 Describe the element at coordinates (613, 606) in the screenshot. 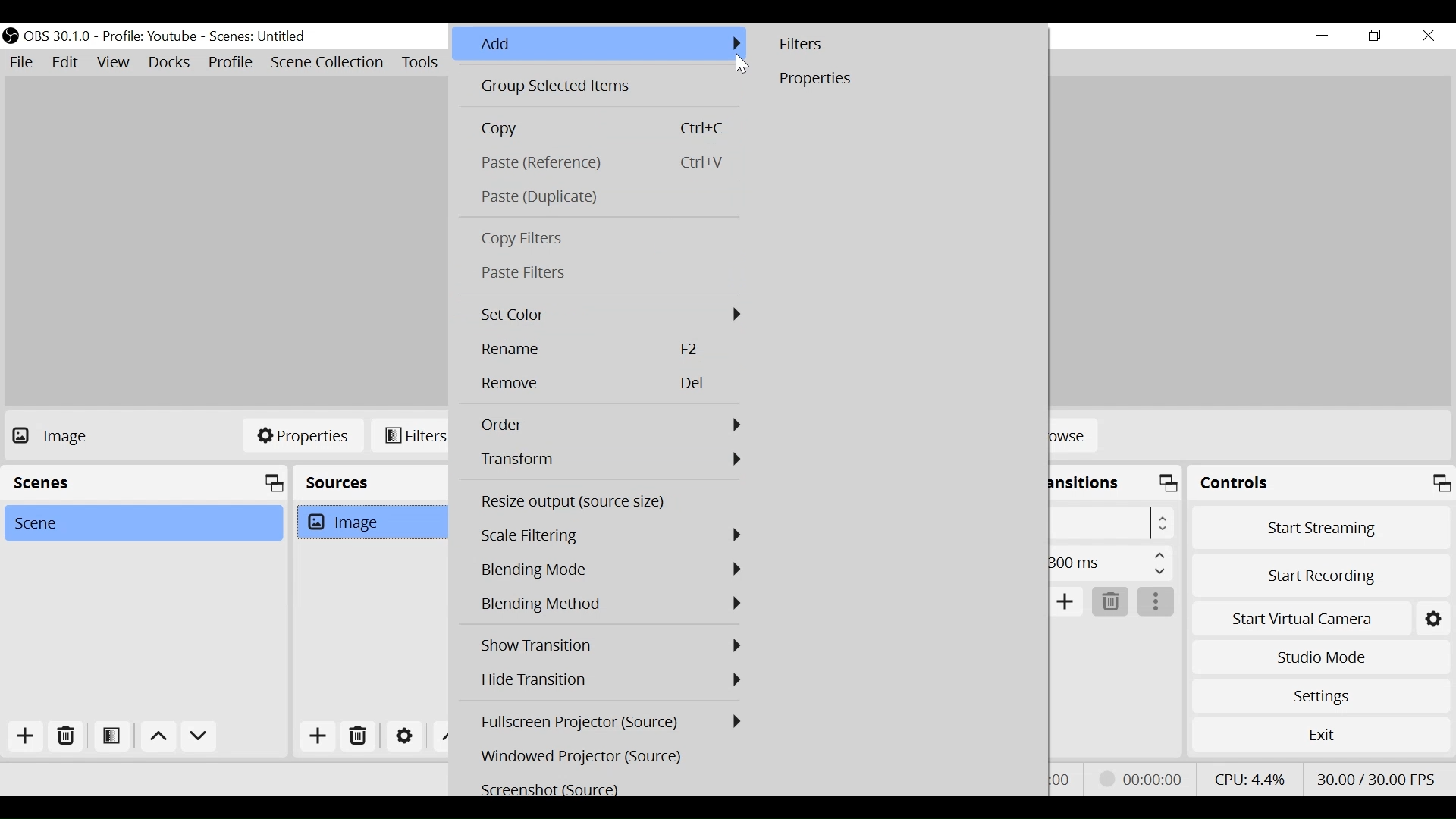

I see `Blending Mode` at that location.